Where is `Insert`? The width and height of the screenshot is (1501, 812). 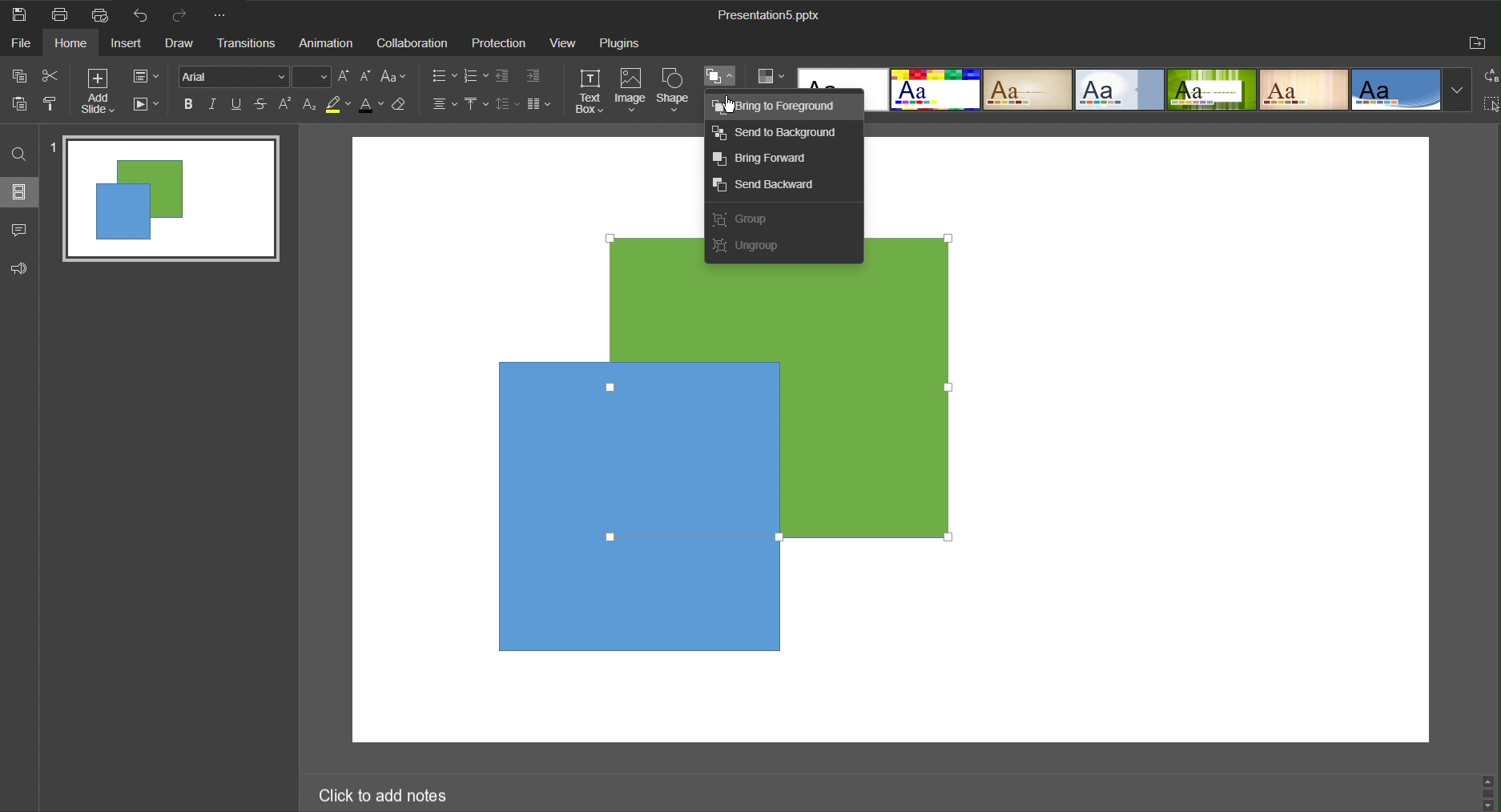
Insert is located at coordinates (131, 44).